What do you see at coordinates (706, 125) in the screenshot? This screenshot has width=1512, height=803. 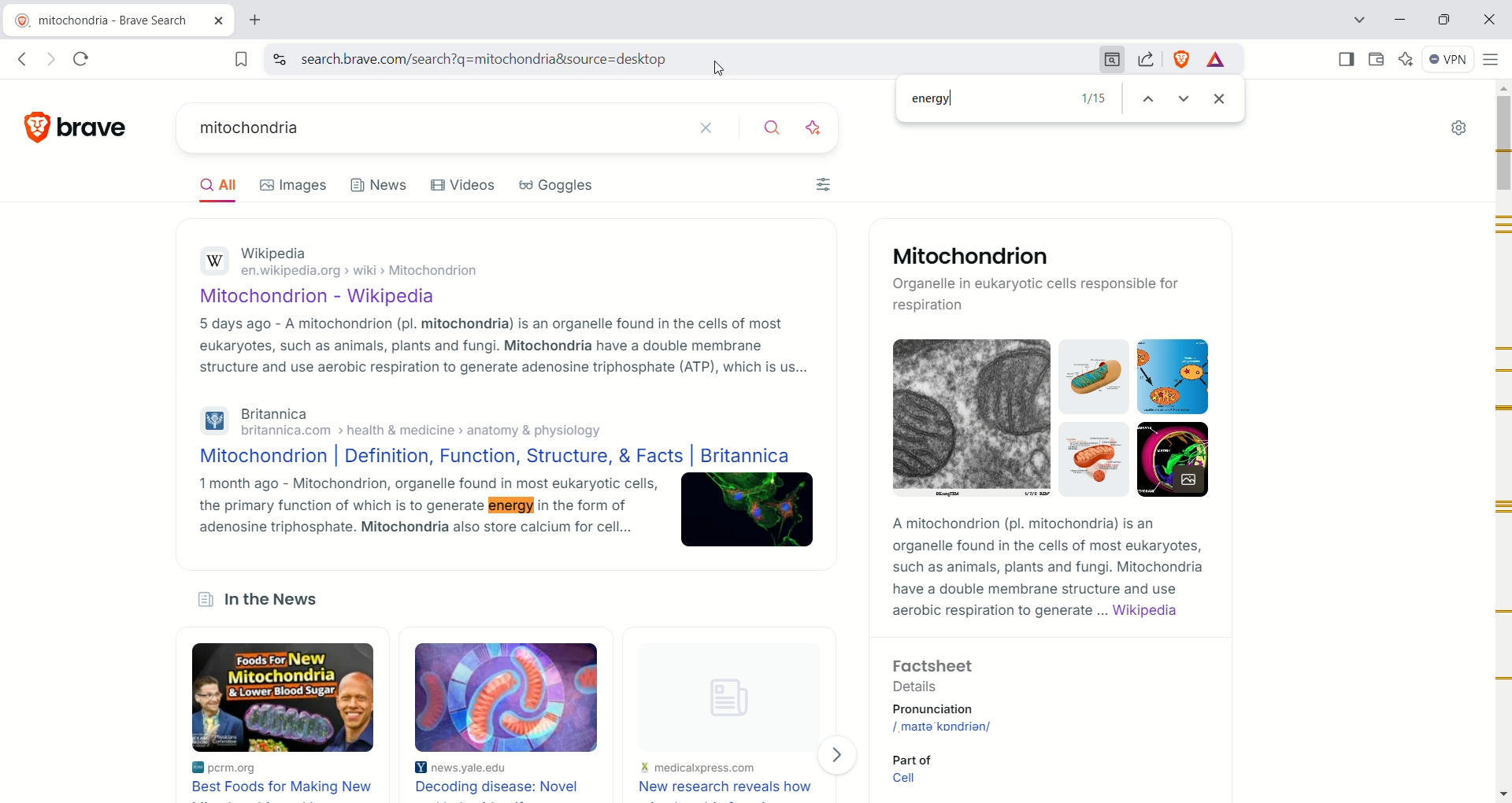 I see `clear` at bounding box center [706, 125].